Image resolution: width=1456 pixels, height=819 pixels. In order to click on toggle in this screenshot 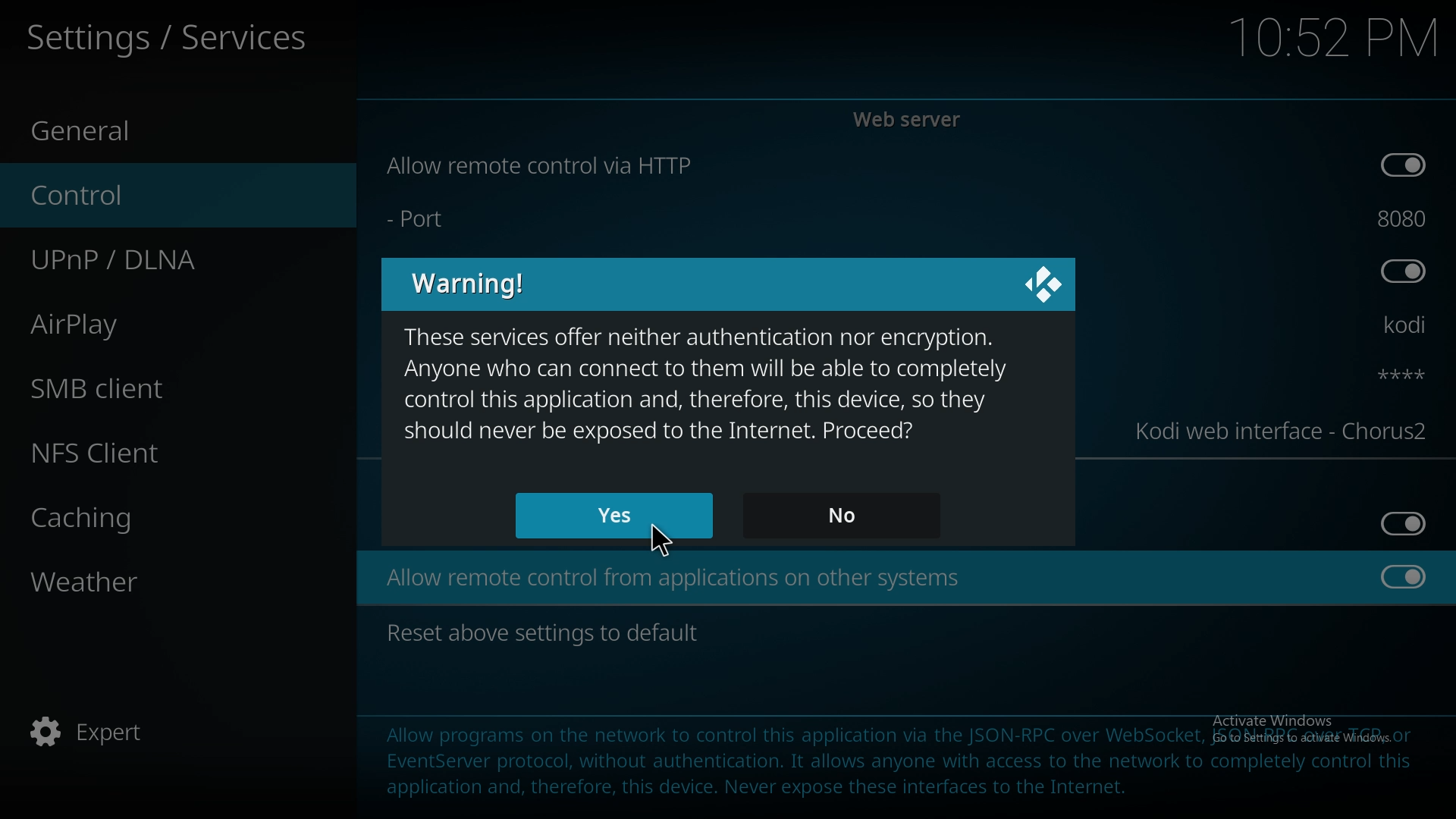, I will do `click(1401, 165)`.